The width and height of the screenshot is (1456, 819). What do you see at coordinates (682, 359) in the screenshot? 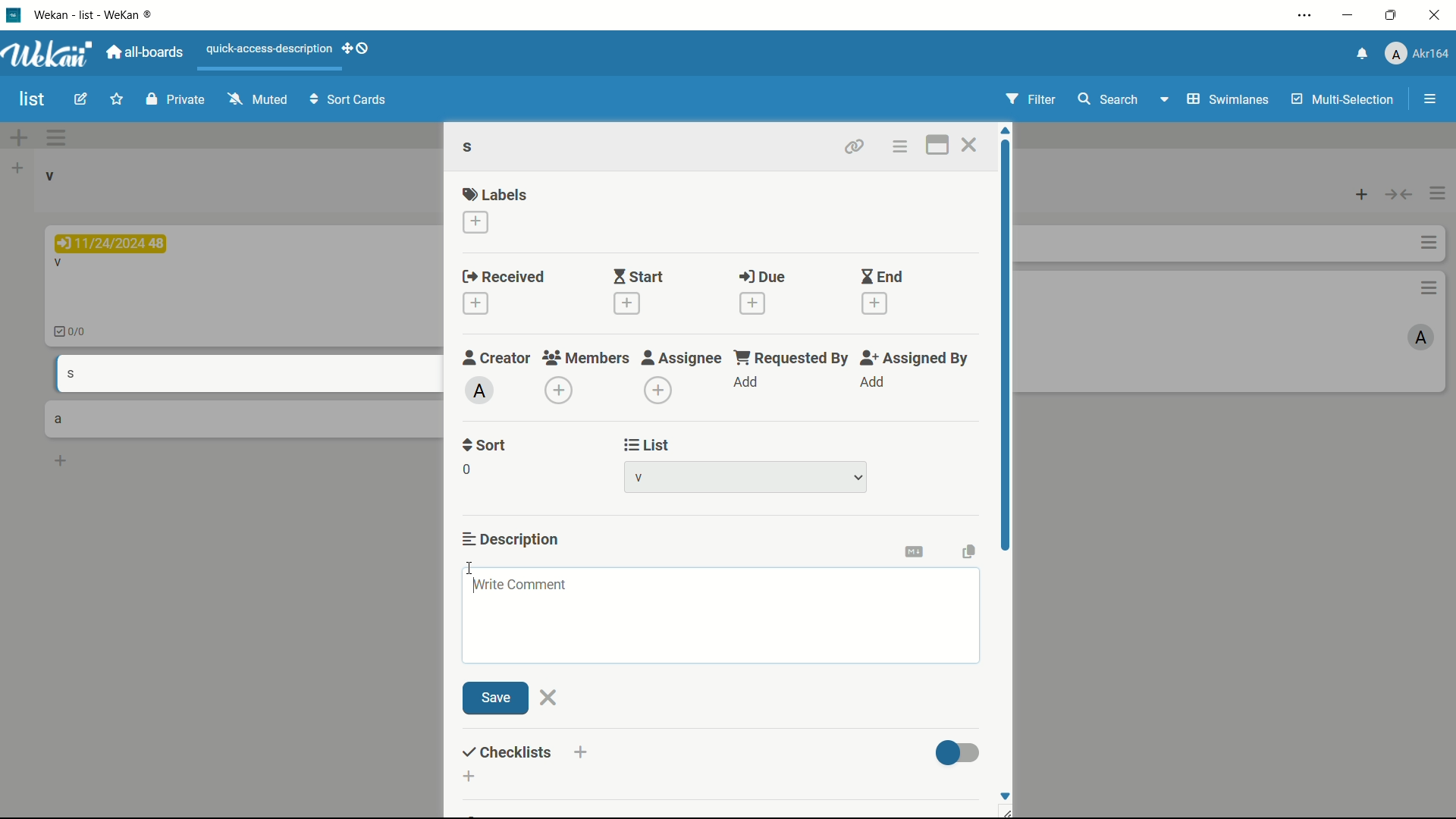
I see `assignee` at bounding box center [682, 359].